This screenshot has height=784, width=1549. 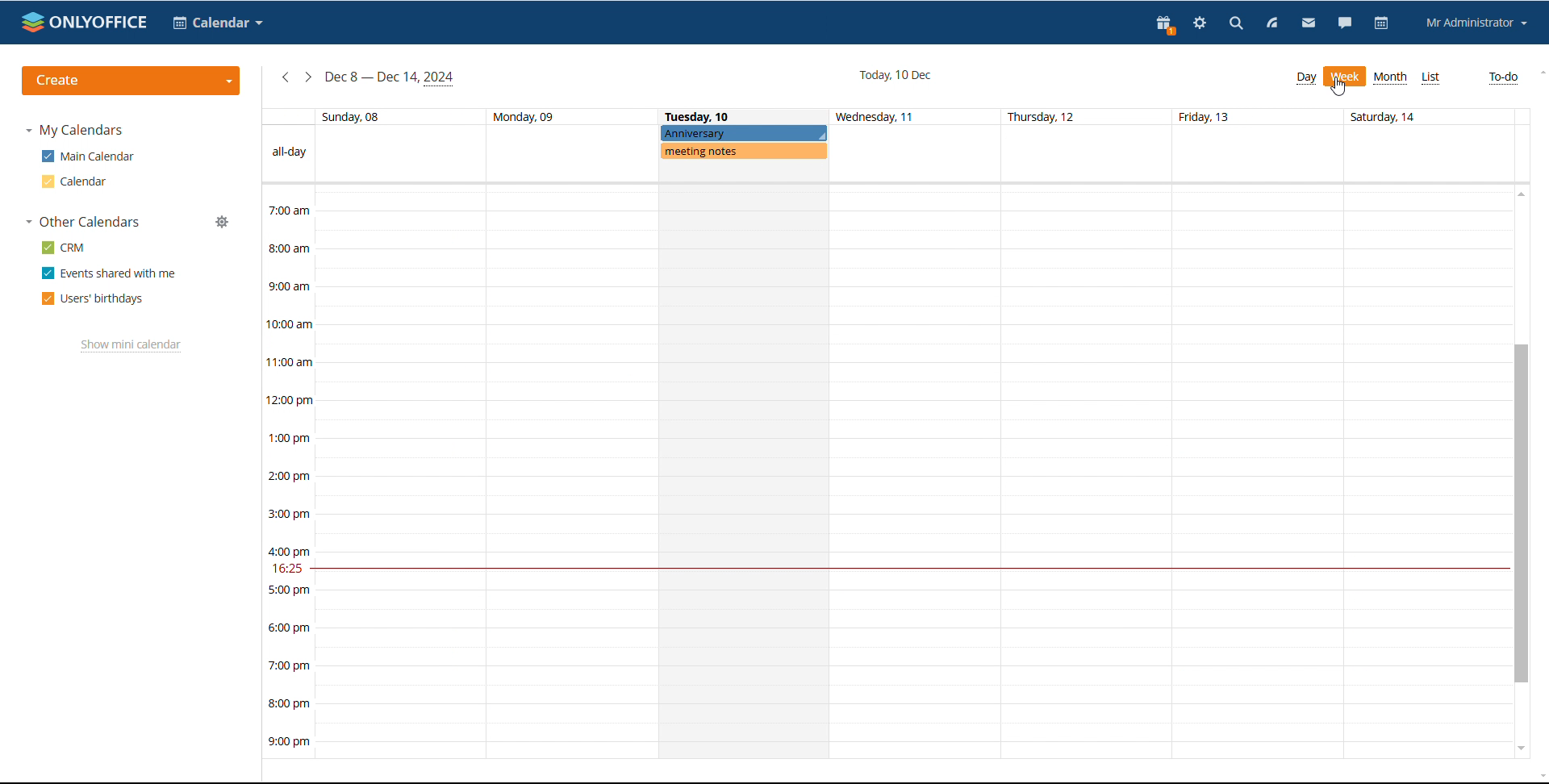 What do you see at coordinates (1391, 77) in the screenshot?
I see `month view` at bounding box center [1391, 77].